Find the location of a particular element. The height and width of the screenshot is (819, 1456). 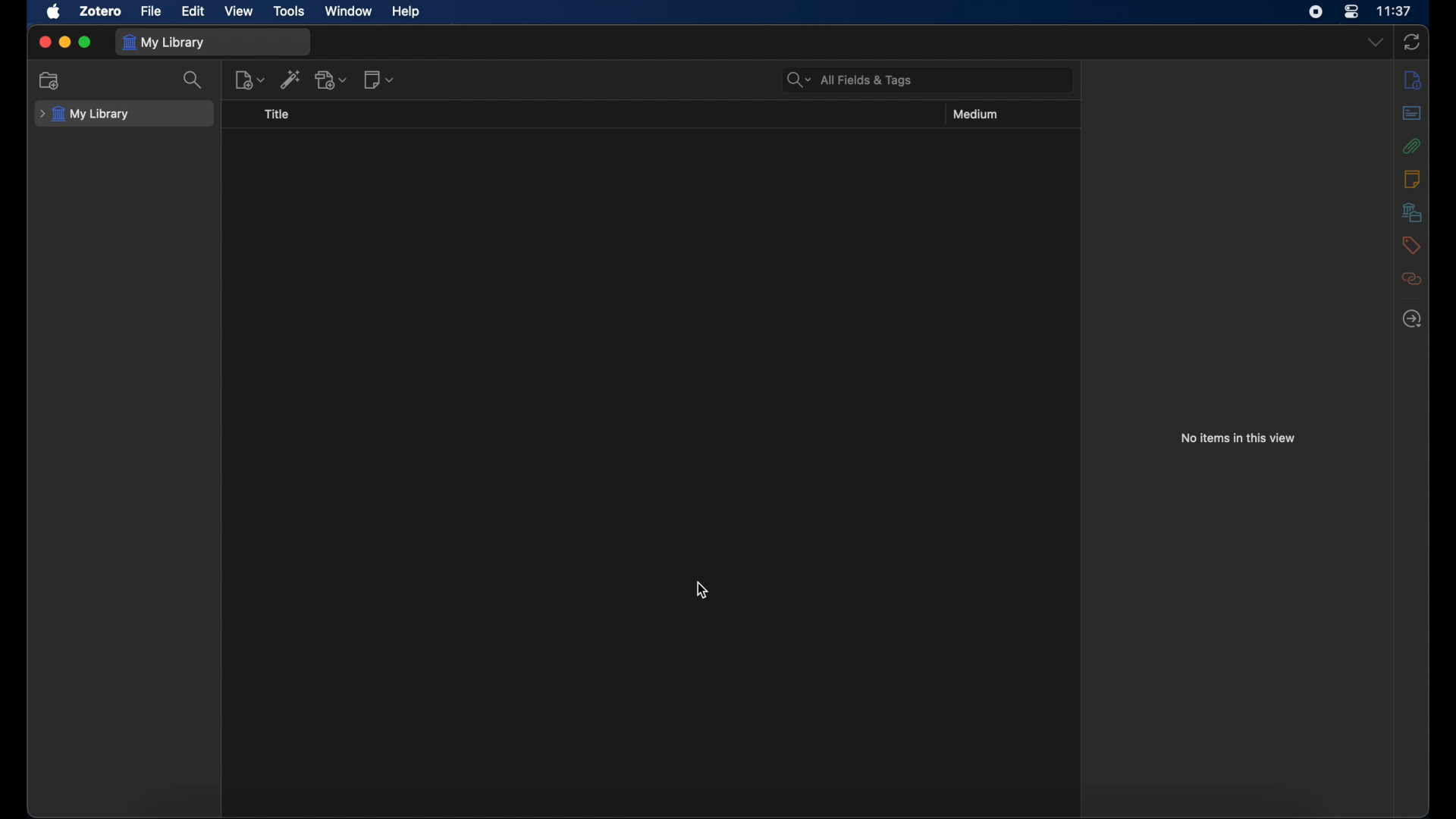

add item by identifier is located at coordinates (292, 79).